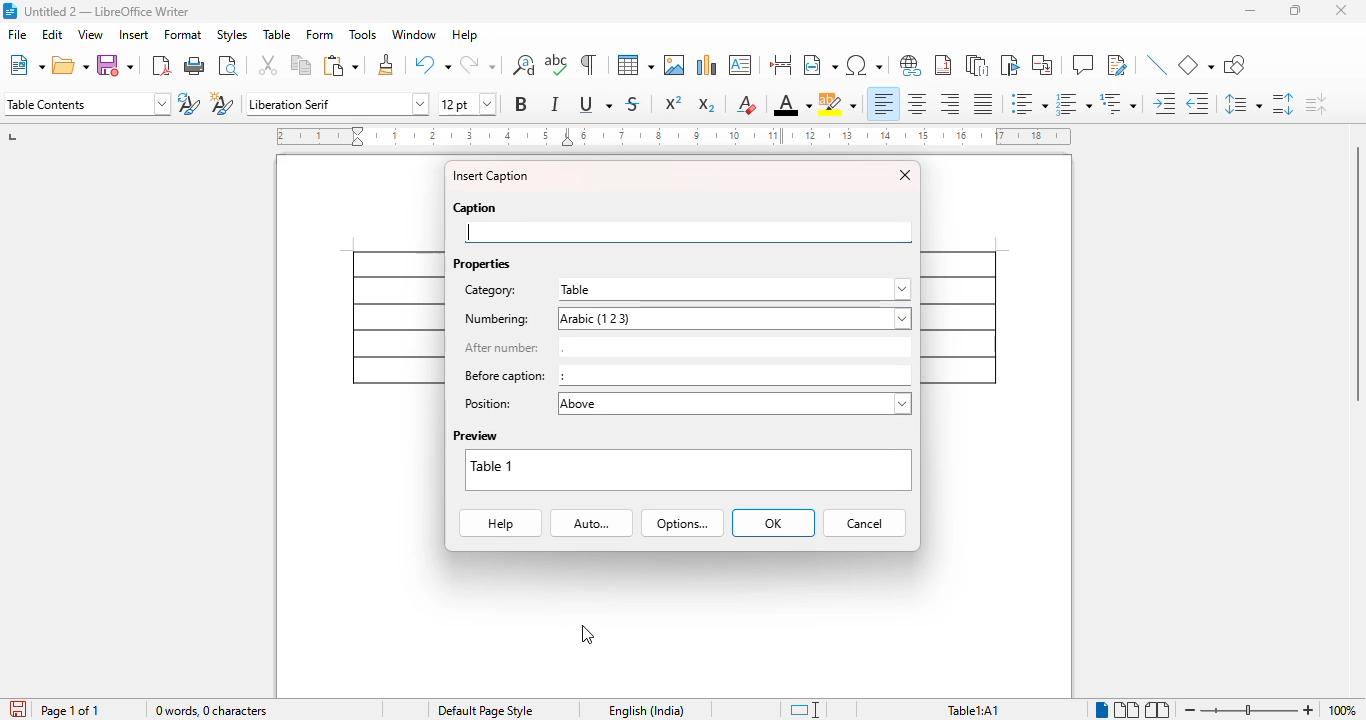  What do you see at coordinates (1118, 103) in the screenshot?
I see `select outline format` at bounding box center [1118, 103].